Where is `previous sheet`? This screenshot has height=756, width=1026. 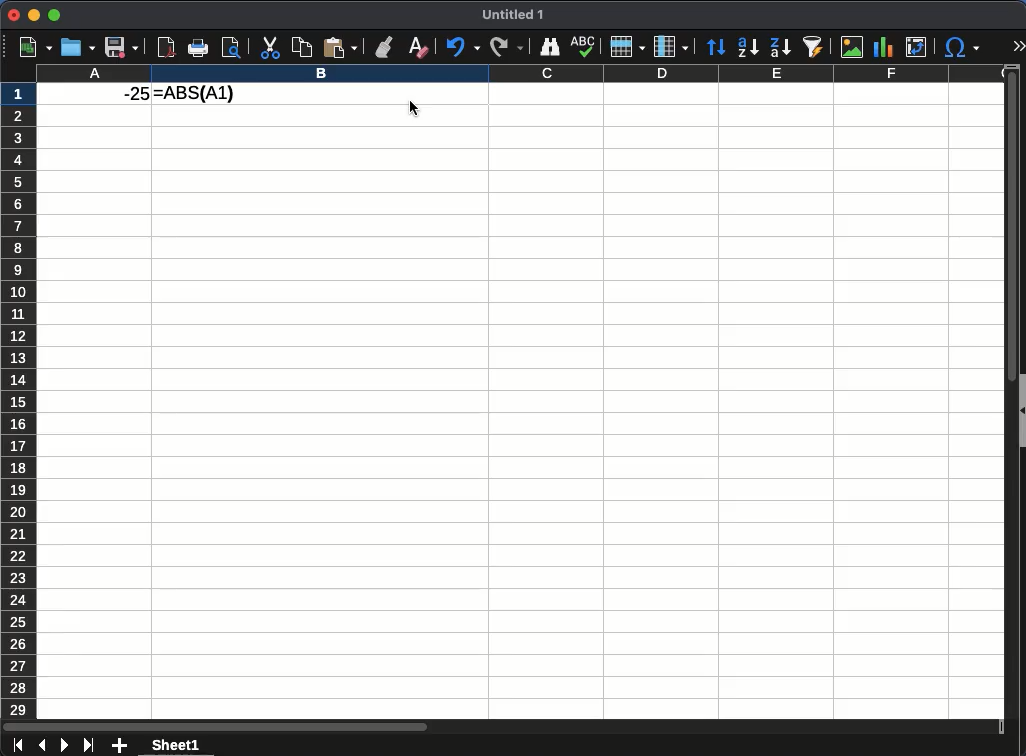
previous sheet is located at coordinates (44, 746).